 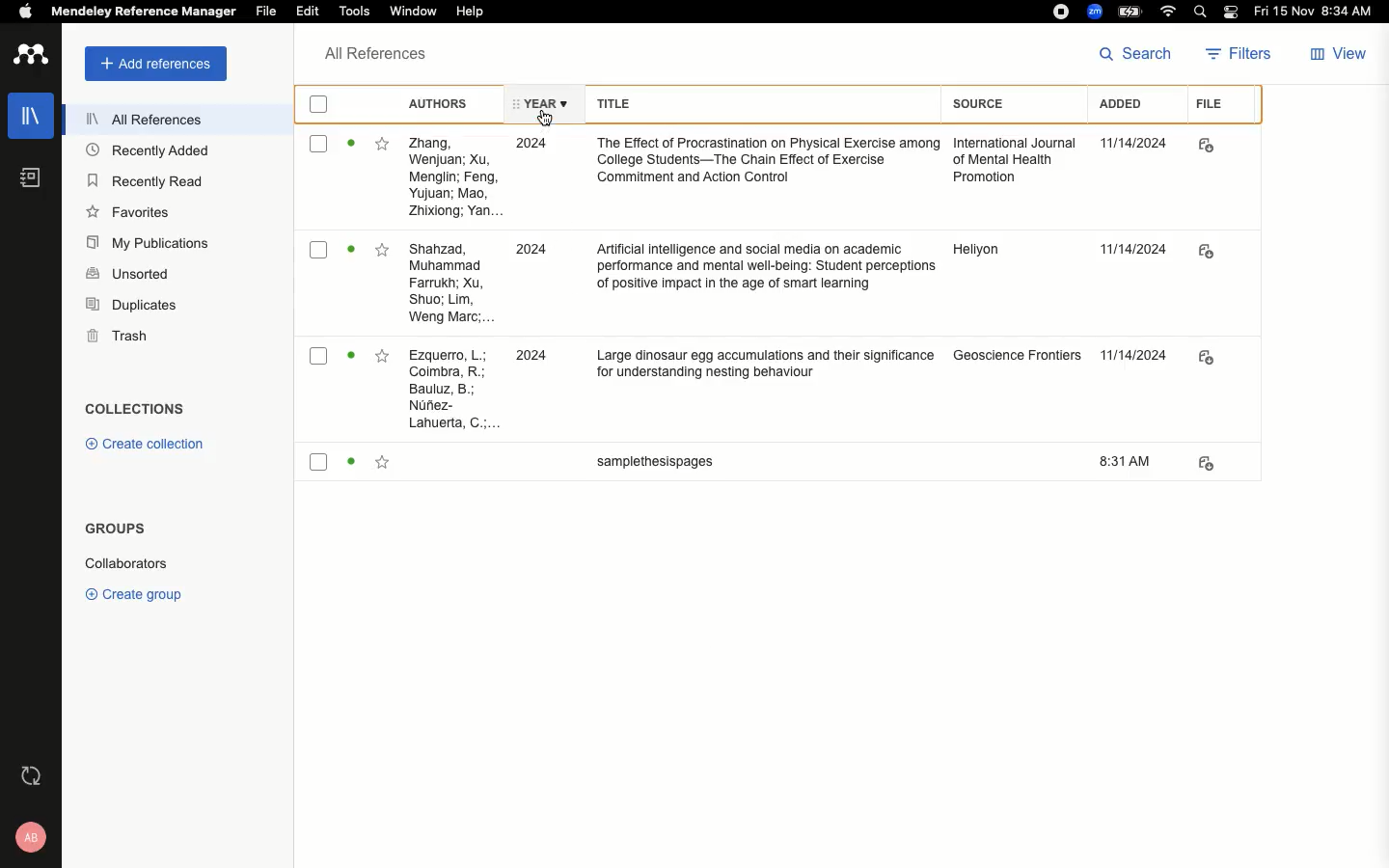 I want to click on select document, so click(x=317, y=465).